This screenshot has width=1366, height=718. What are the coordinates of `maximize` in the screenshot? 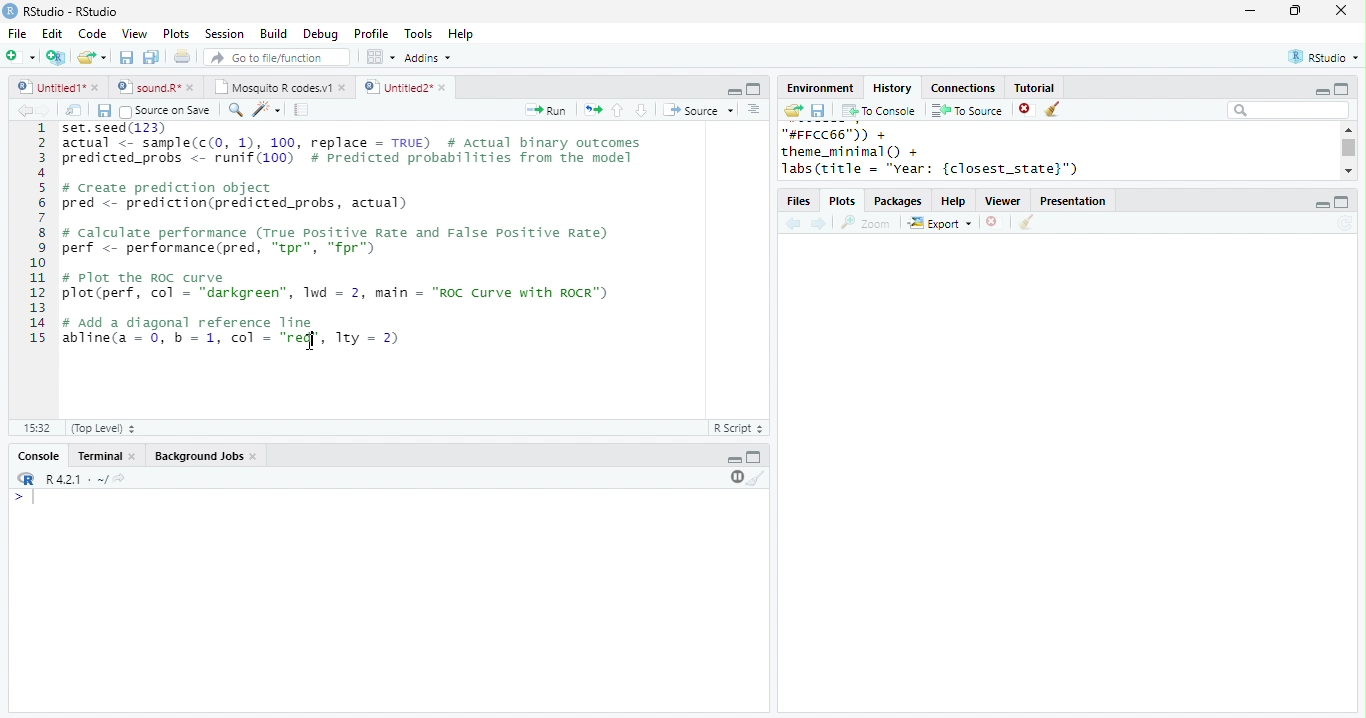 It's located at (1340, 88).